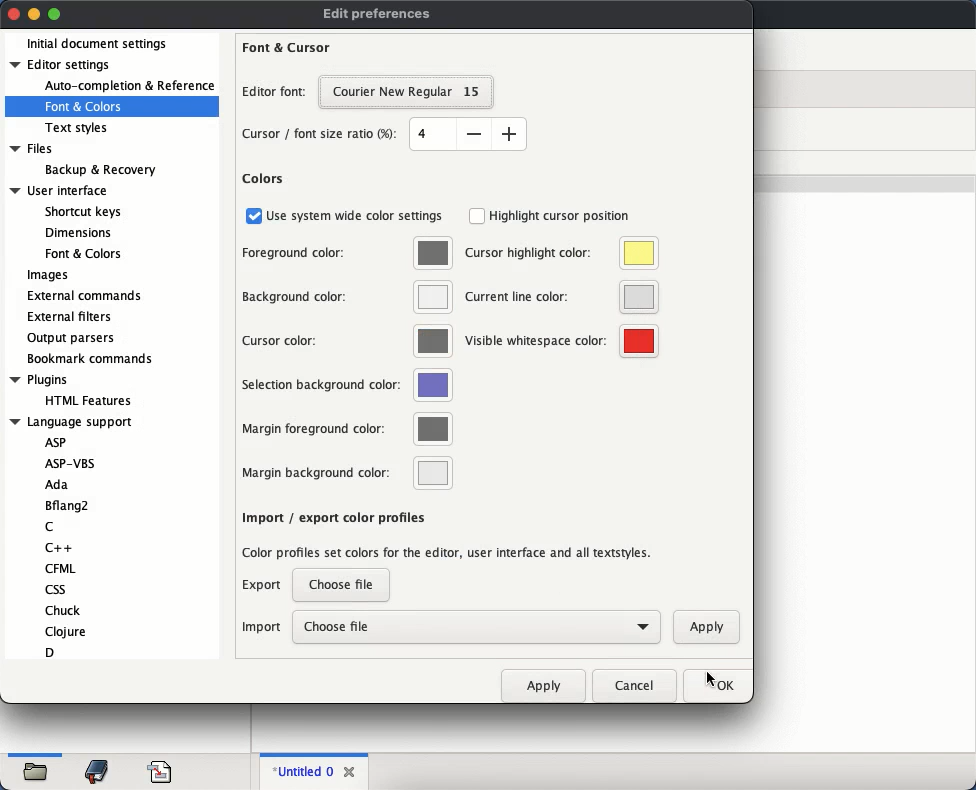  I want to click on increase cursor/font size ratio, so click(509, 133).